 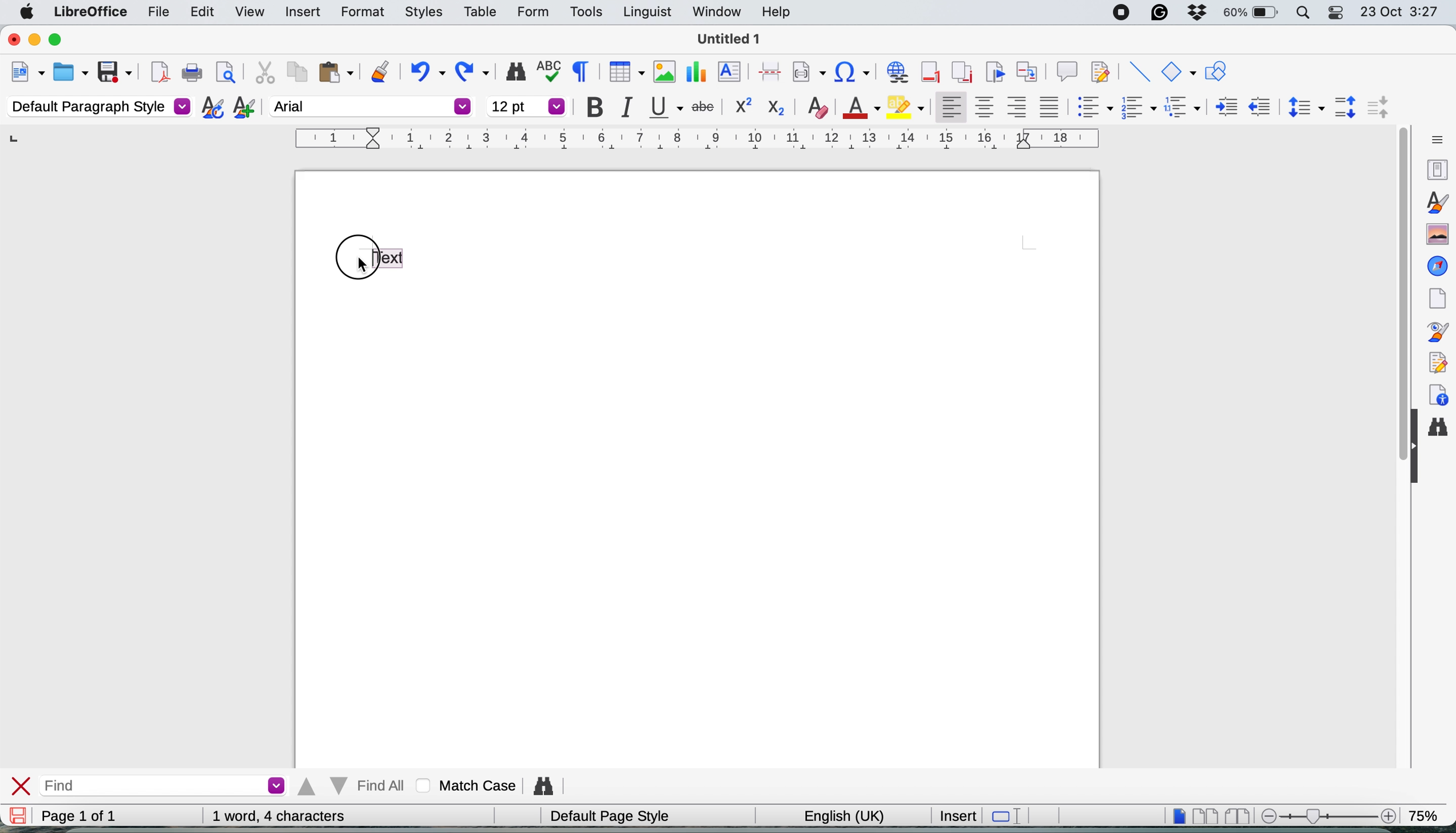 What do you see at coordinates (1439, 392) in the screenshot?
I see `accessibility checks` at bounding box center [1439, 392].